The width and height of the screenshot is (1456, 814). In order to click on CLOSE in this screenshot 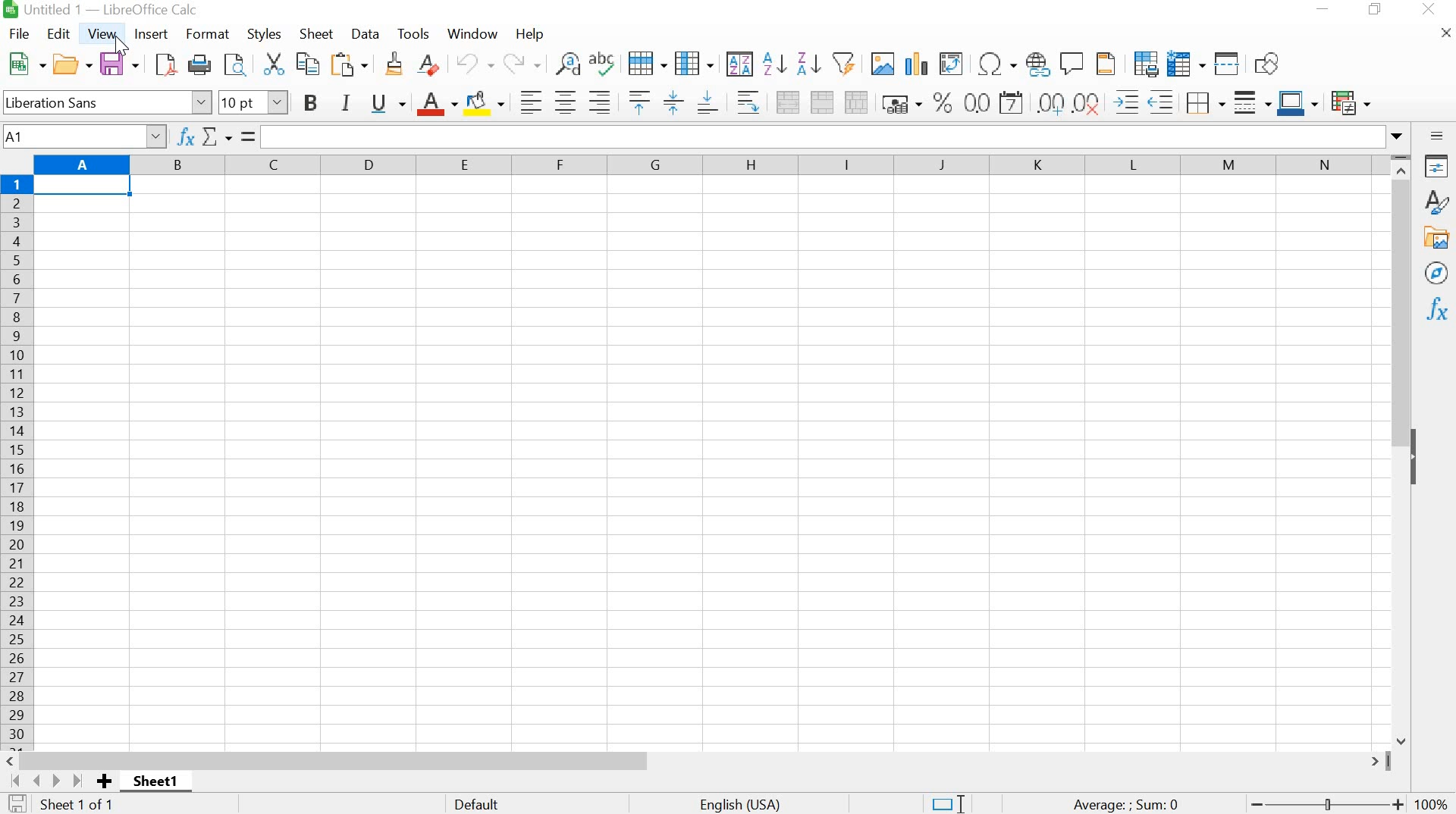, I will do `click(1443, 37)`.